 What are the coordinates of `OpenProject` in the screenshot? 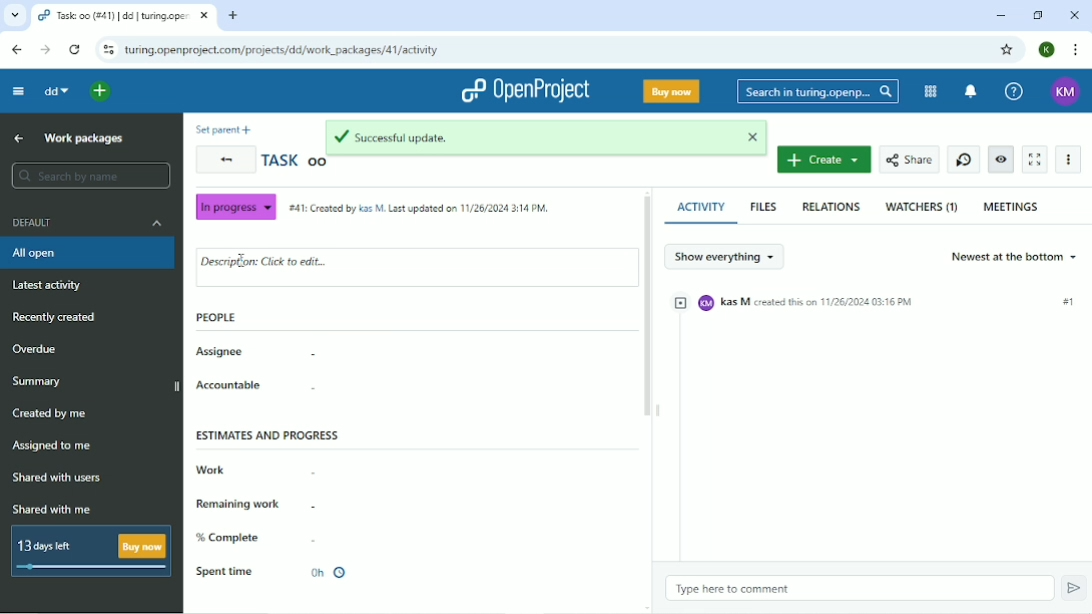 It's located at (524, 90).